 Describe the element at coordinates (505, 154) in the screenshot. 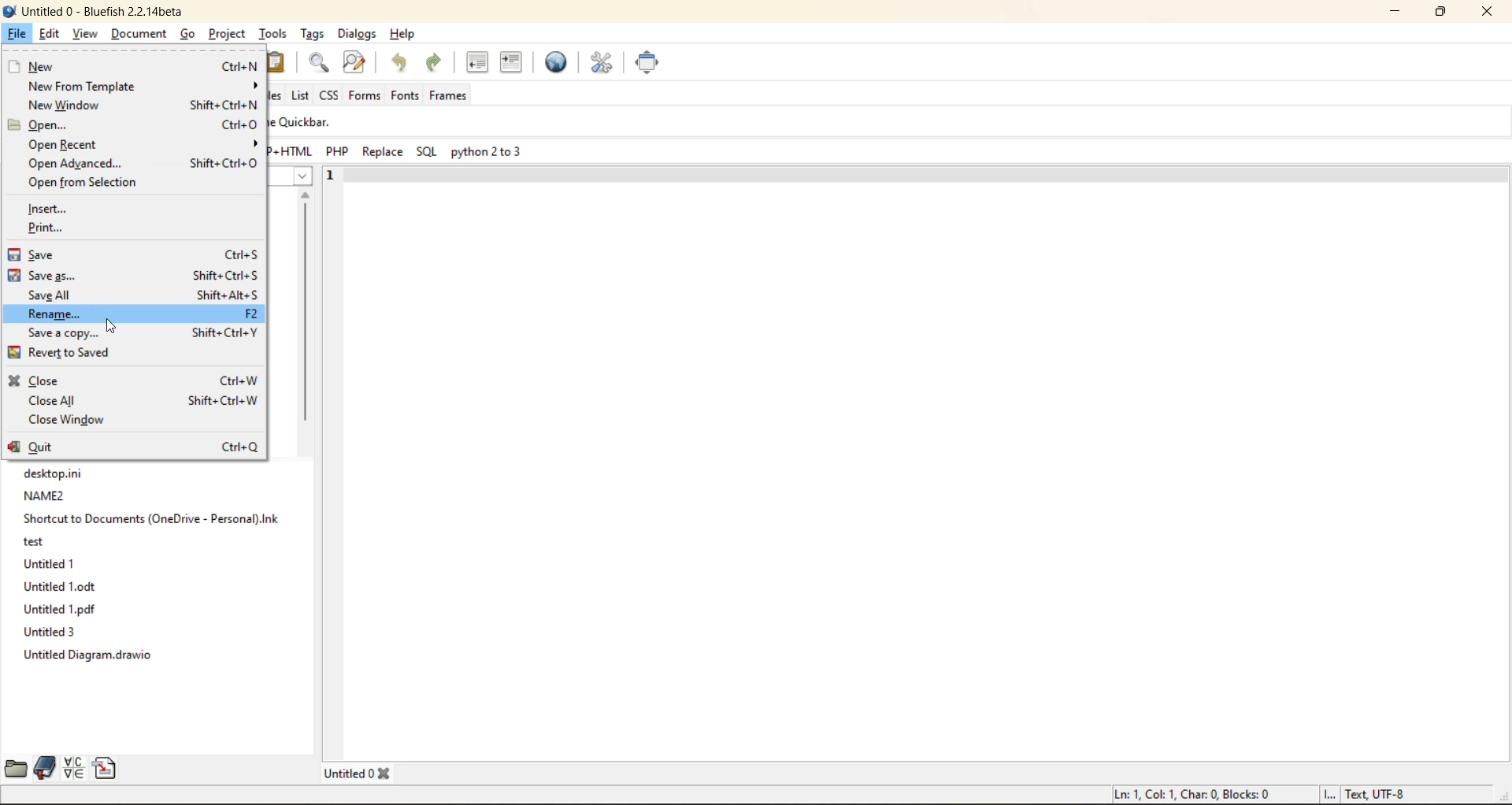

I see `pyhon 2 to 3` at that location.